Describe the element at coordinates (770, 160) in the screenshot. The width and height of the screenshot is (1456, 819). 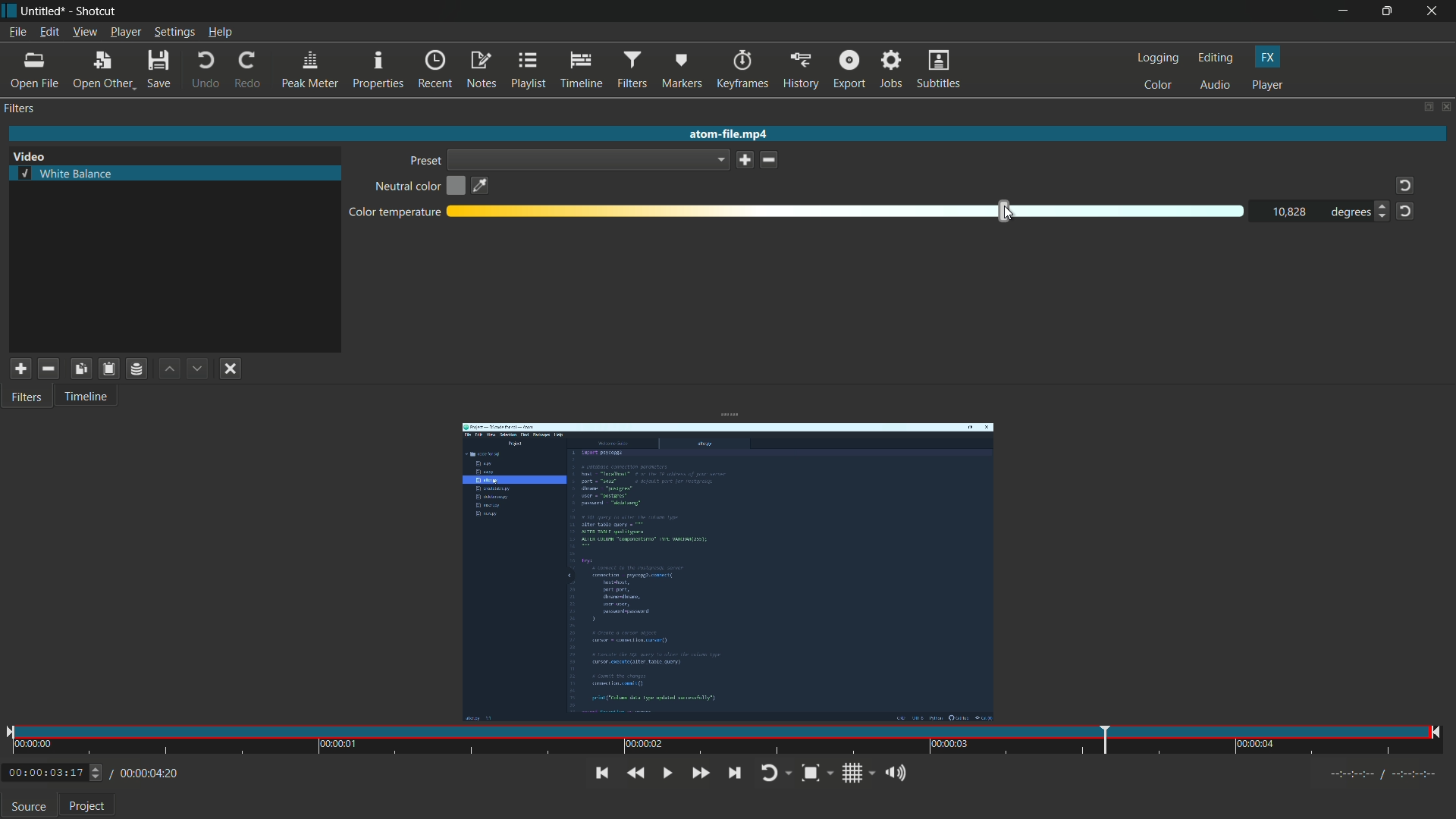
I see `delete` at that location.